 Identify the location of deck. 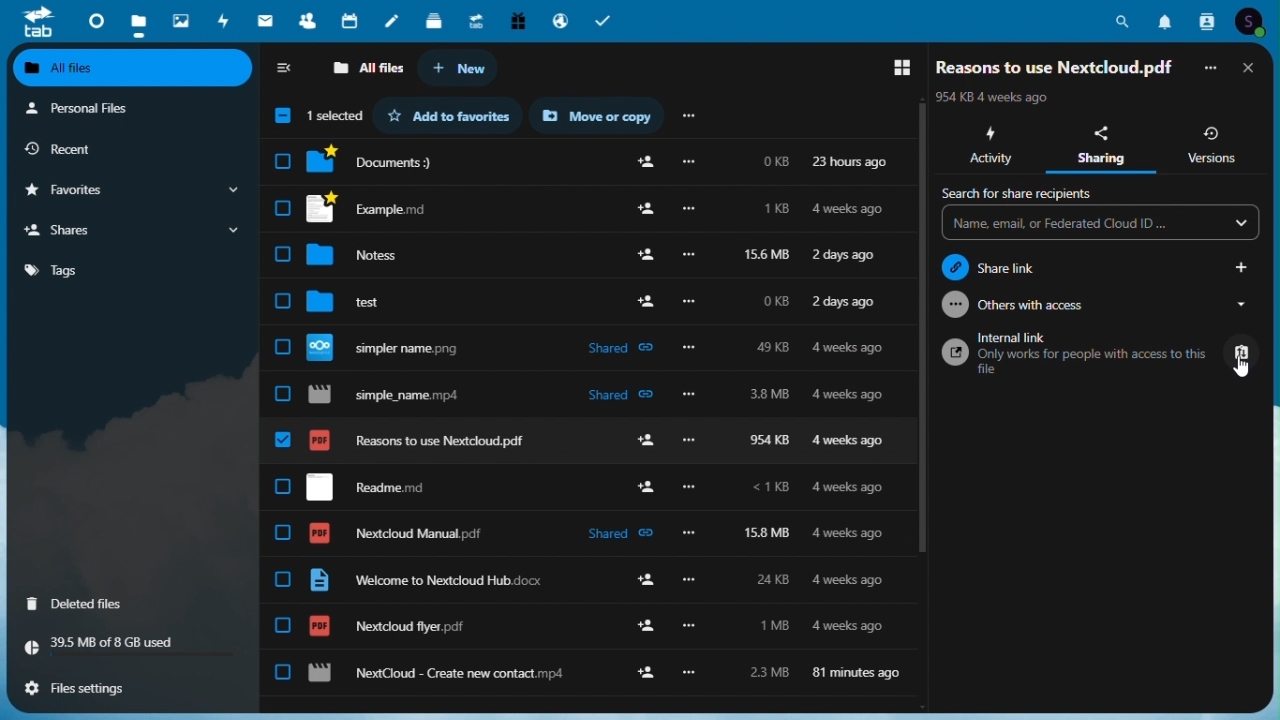
(434, 22).